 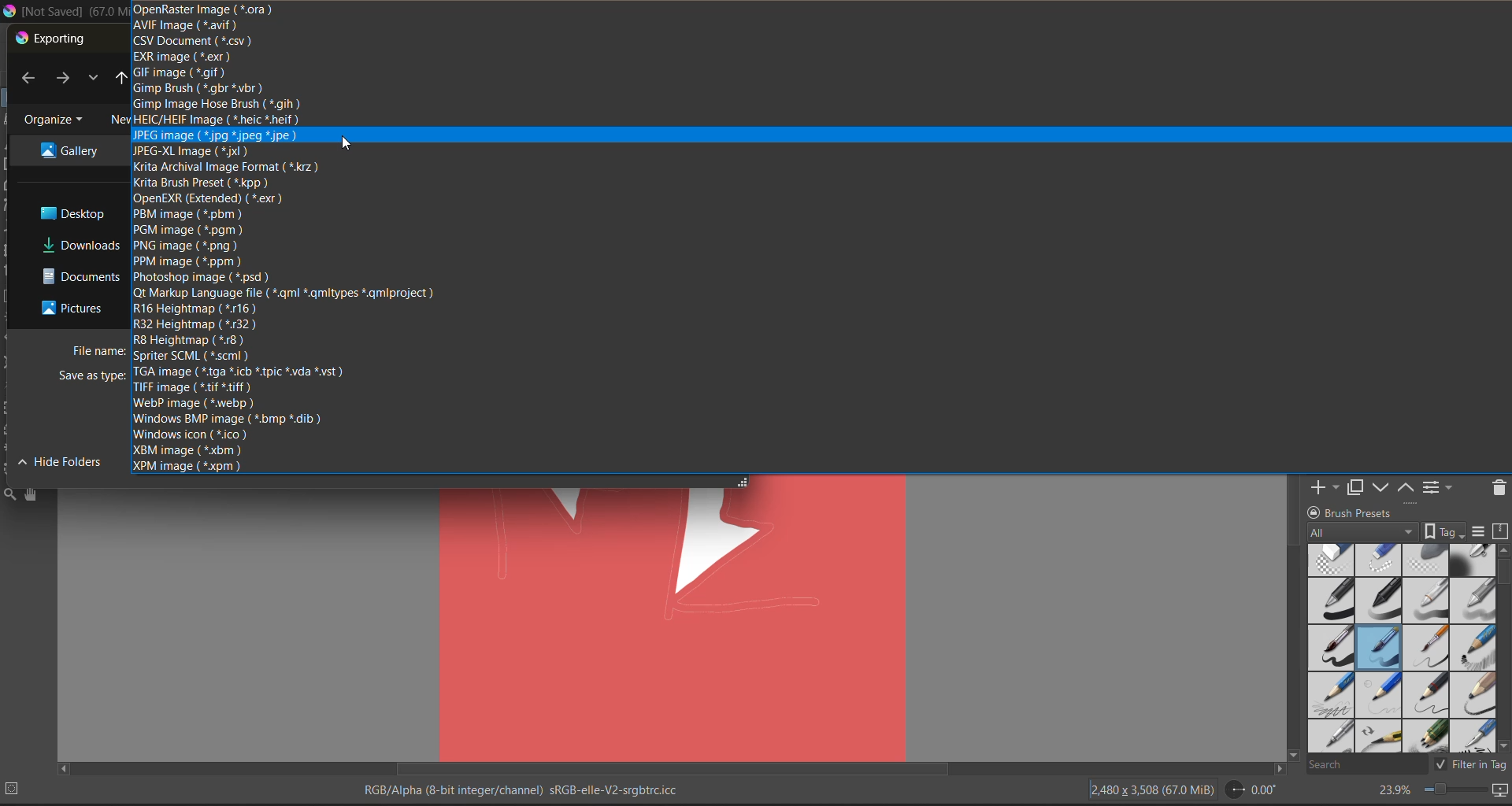 What do you see at coordinates (229, 166) in the screenshot?
I see `krita archival image format` at bounding box center [229, 166].